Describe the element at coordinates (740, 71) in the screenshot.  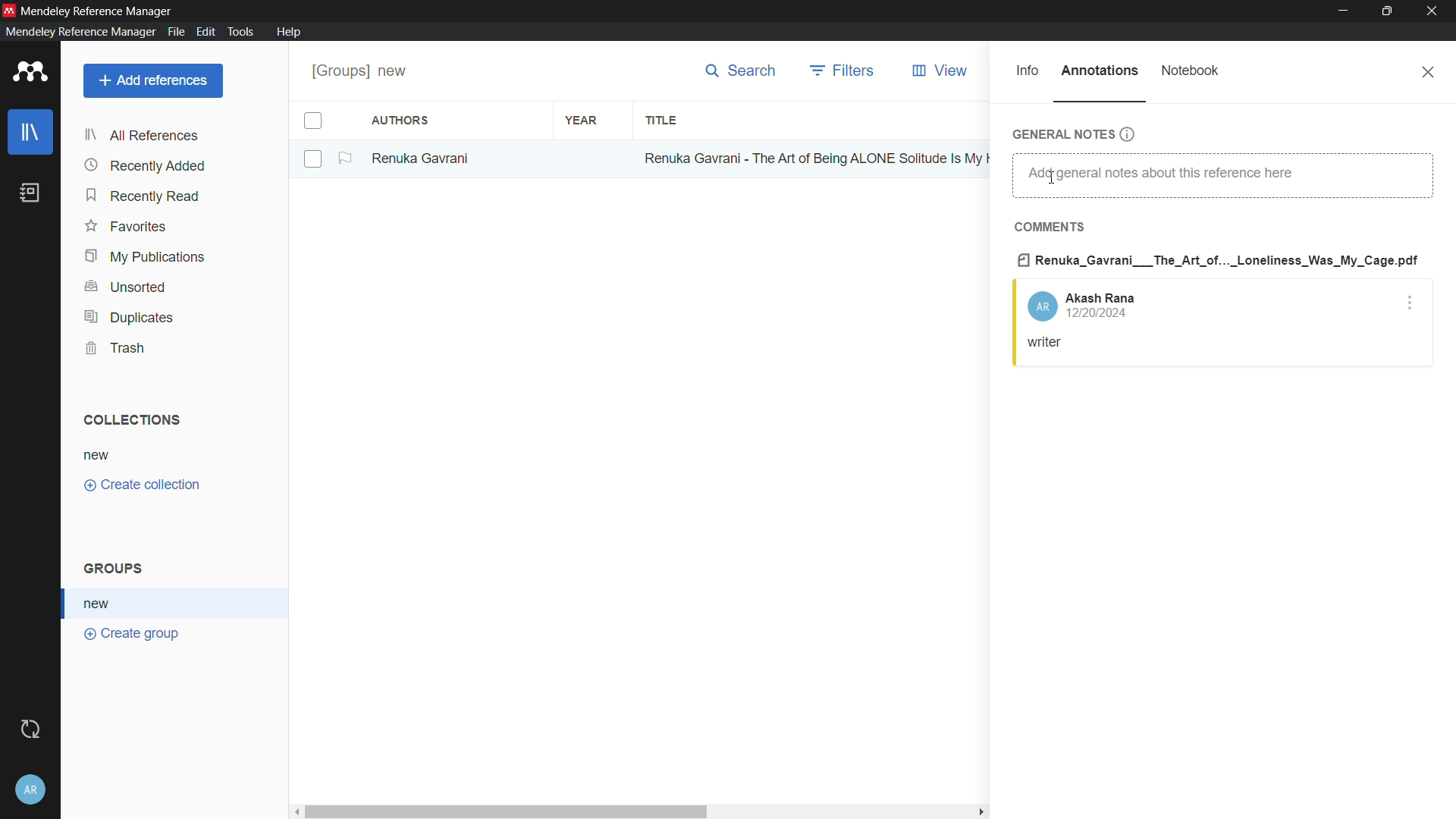
I see `search` at that location.